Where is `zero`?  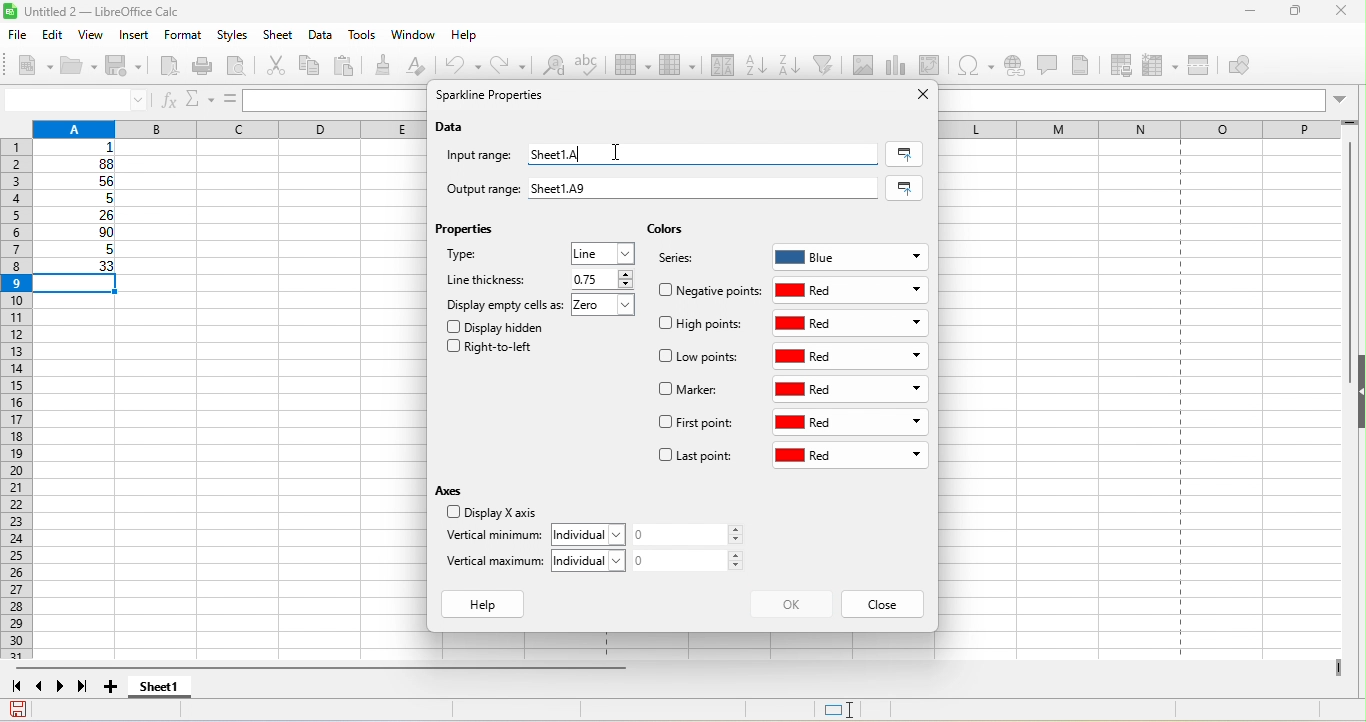
zero is located at coordinates (608, 307).